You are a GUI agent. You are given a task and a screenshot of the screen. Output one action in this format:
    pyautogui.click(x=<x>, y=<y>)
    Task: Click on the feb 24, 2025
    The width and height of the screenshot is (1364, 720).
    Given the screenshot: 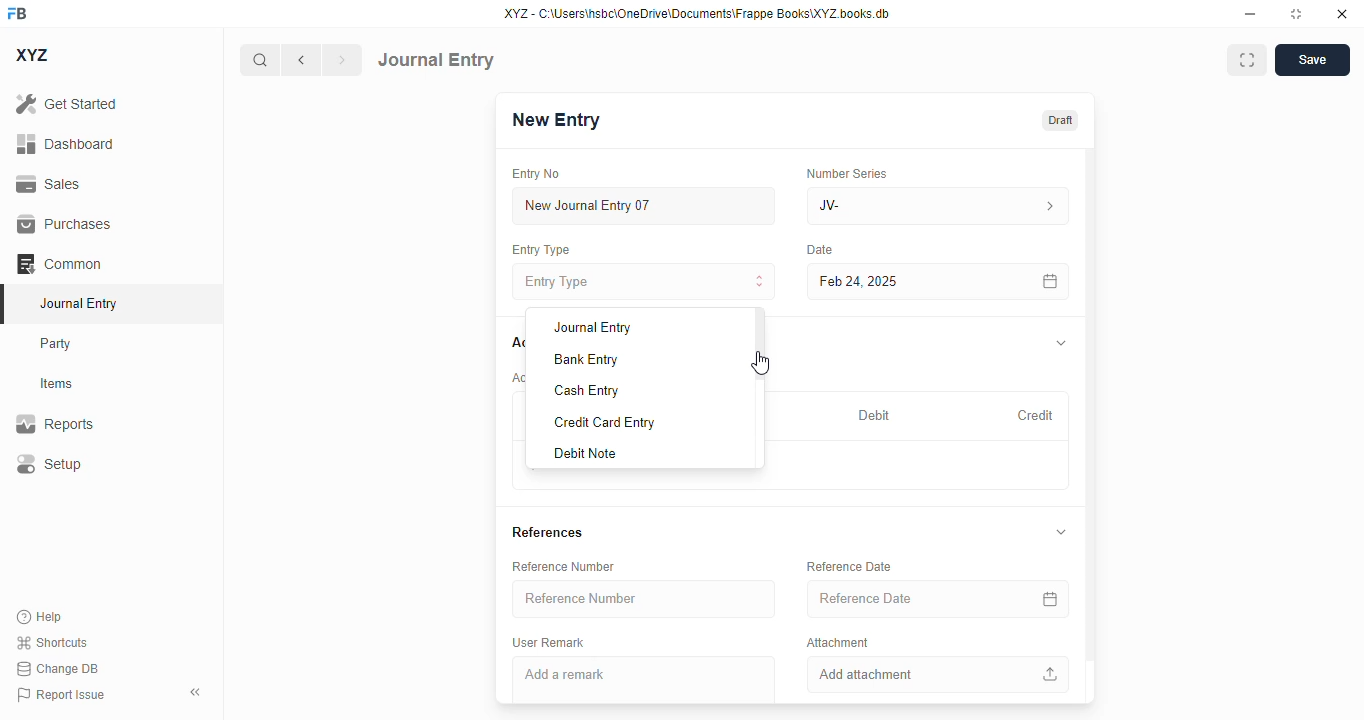 What is the action you would take?
    pyautogui.click(x=895, y=282)
    